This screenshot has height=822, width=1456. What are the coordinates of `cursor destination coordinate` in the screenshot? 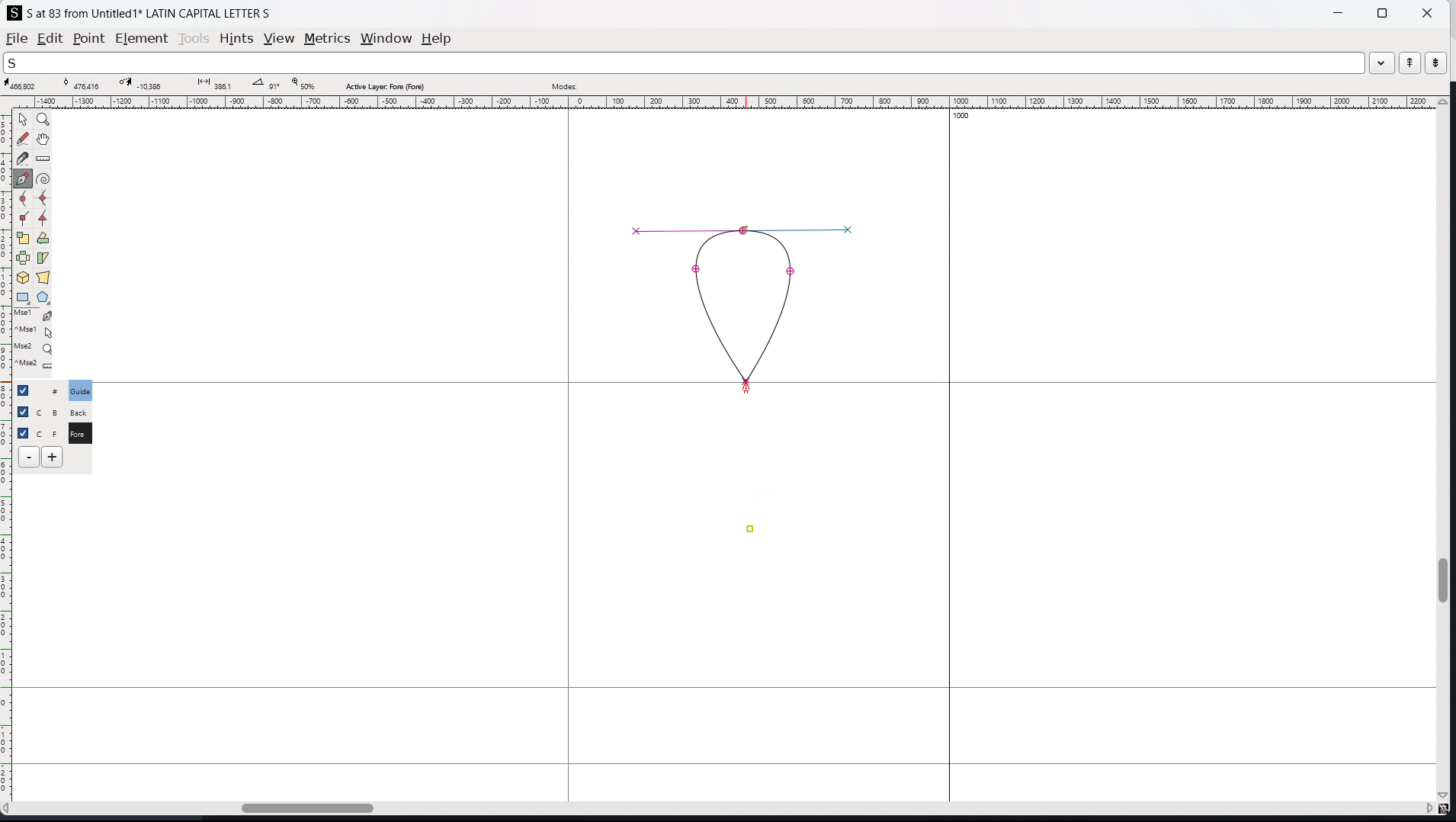 It's located at (144, 84).